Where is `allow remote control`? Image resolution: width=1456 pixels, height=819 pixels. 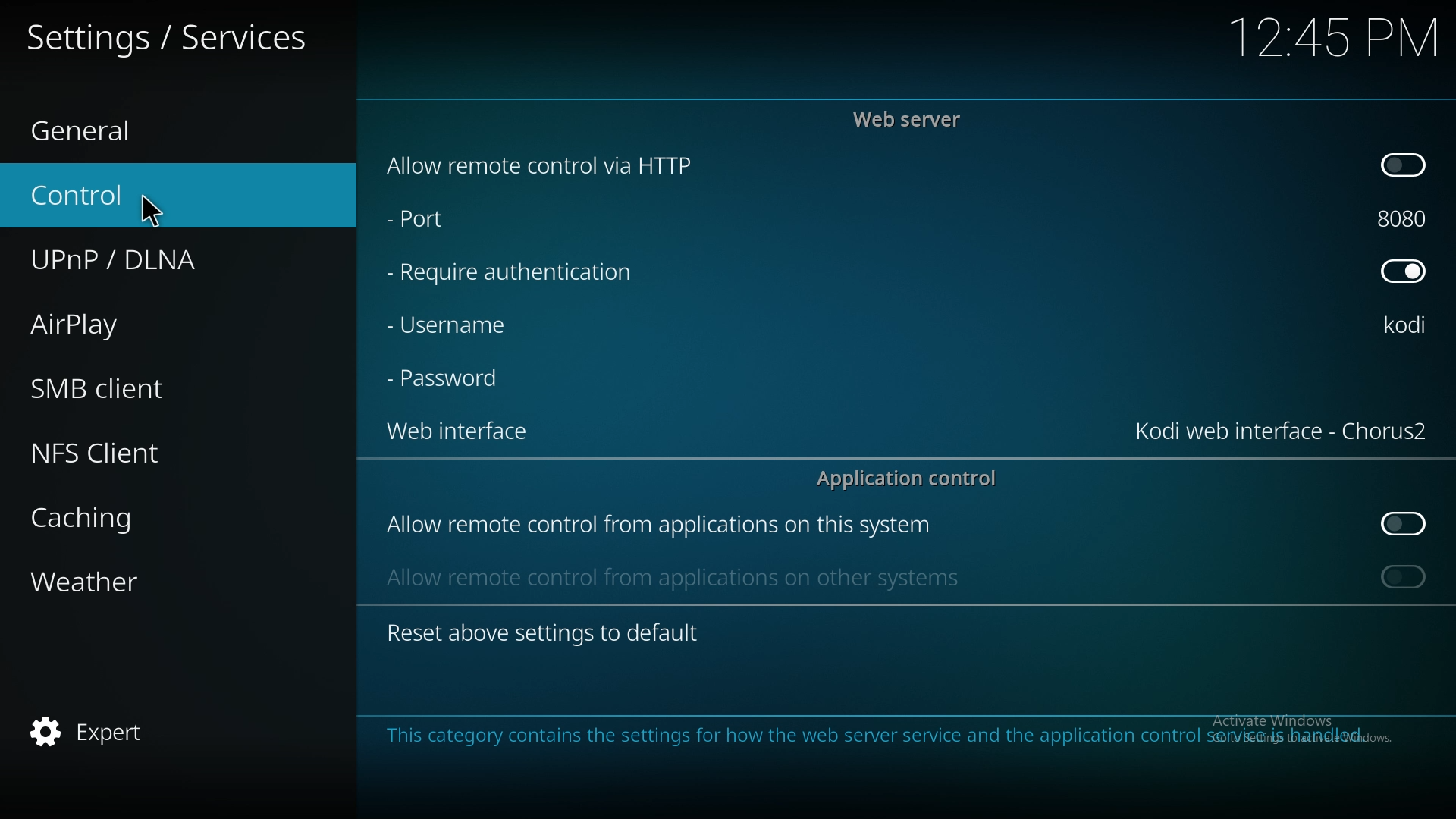
allow remote control is located at coordinates (658, 526).